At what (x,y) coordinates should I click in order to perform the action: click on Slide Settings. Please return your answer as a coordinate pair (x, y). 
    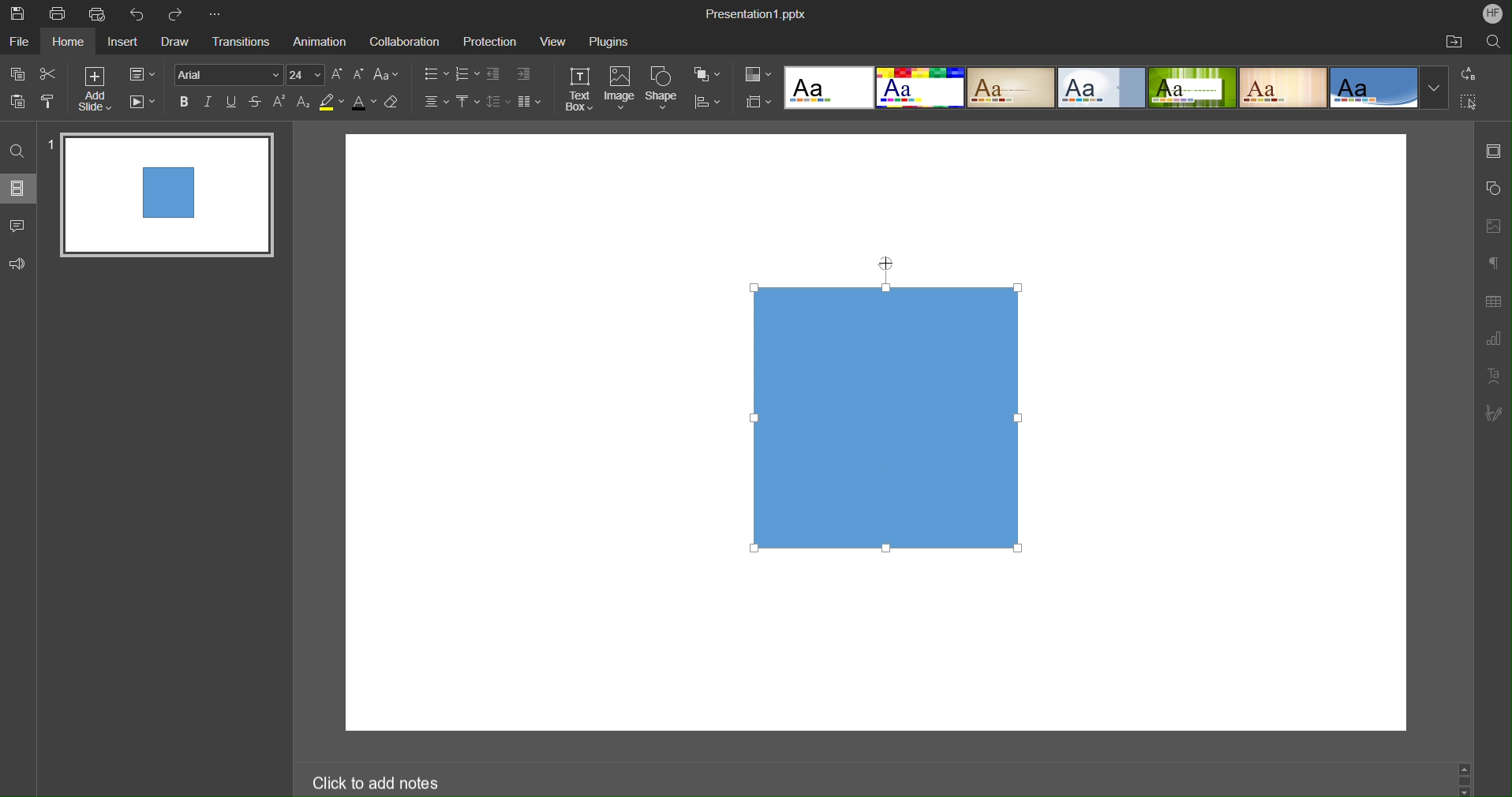
    Looking at the image, I should click on (1495, 148).